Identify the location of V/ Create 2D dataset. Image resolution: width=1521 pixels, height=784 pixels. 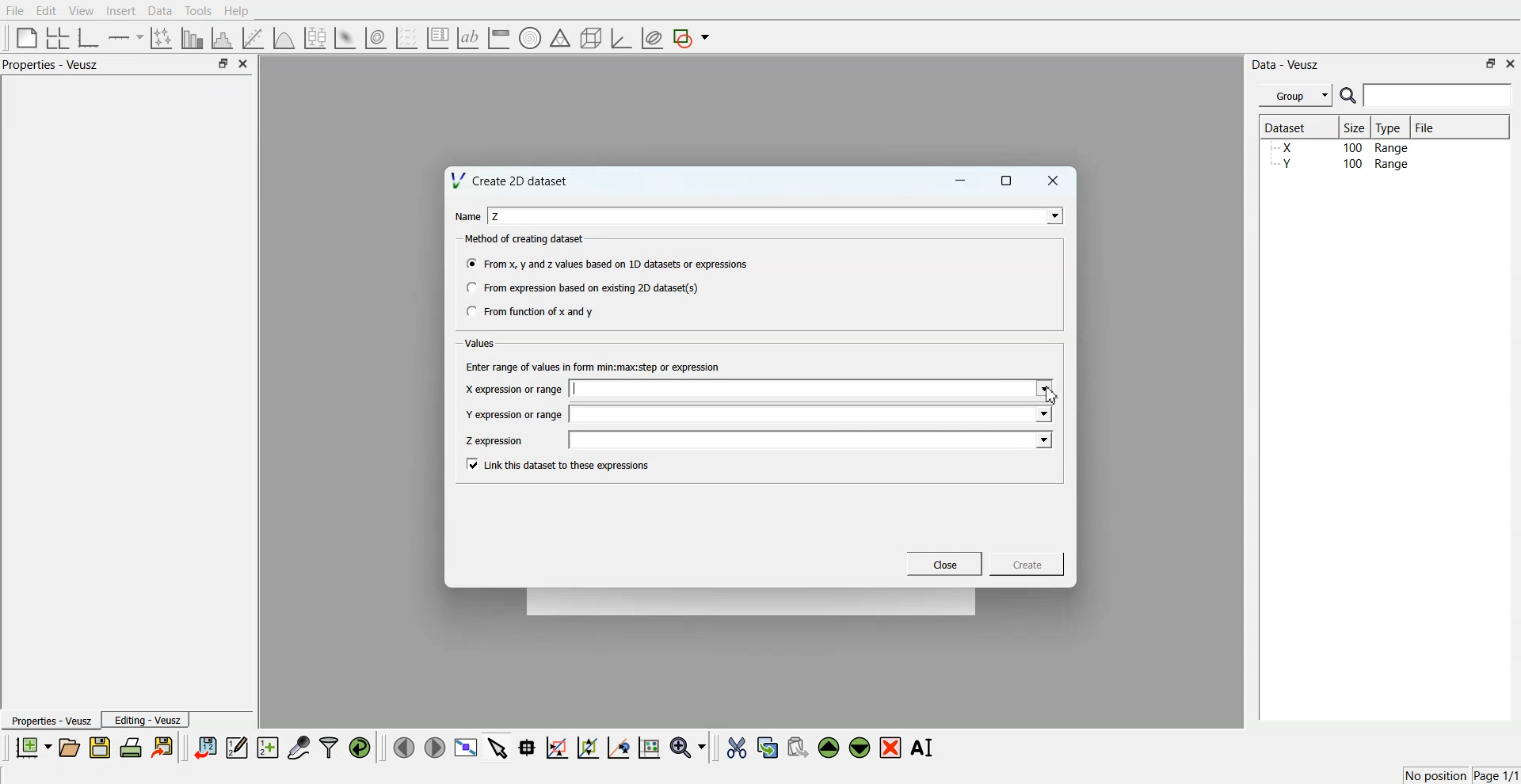
(511, 180).